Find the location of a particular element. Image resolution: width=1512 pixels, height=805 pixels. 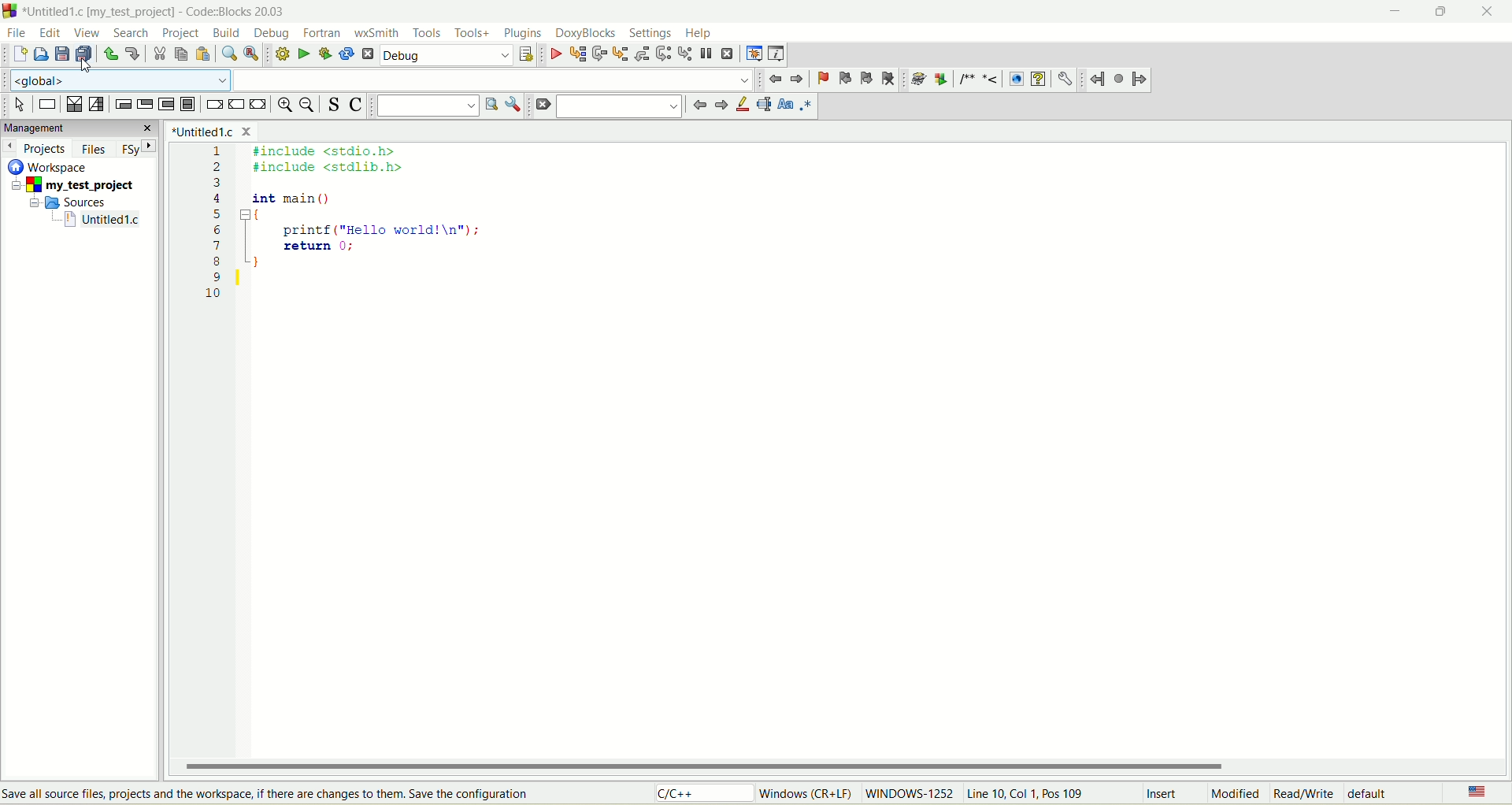

HTML is located at coordinates (1017, 78).